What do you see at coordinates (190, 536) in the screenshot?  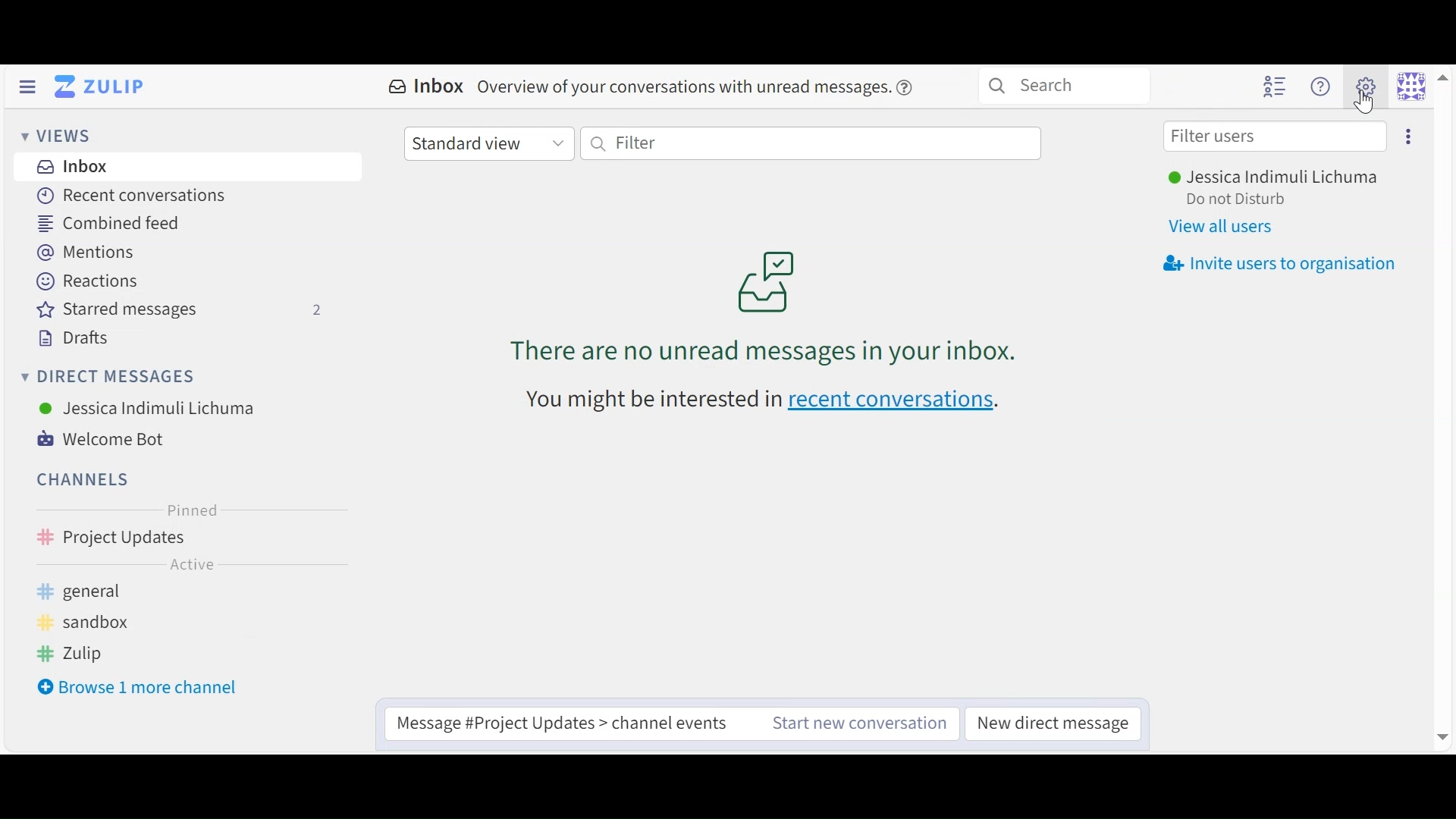 I see `Channel ` at bounding box center [190, 536].